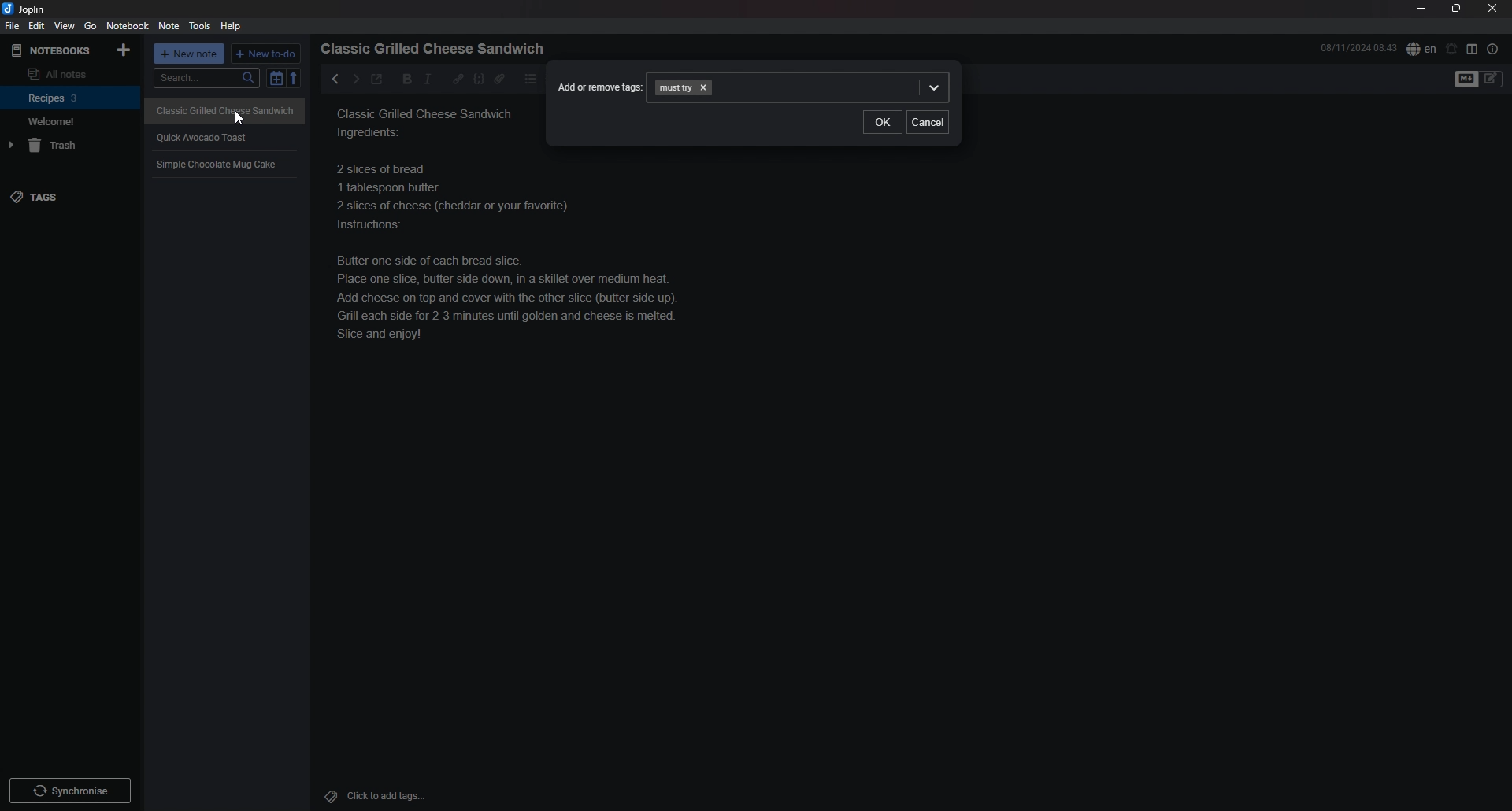 This screenshot has width=1512, height=811. What do you see at coordinates (26, 9) in the screenshot?
I see `joplin` at bounding box center [26, 9].